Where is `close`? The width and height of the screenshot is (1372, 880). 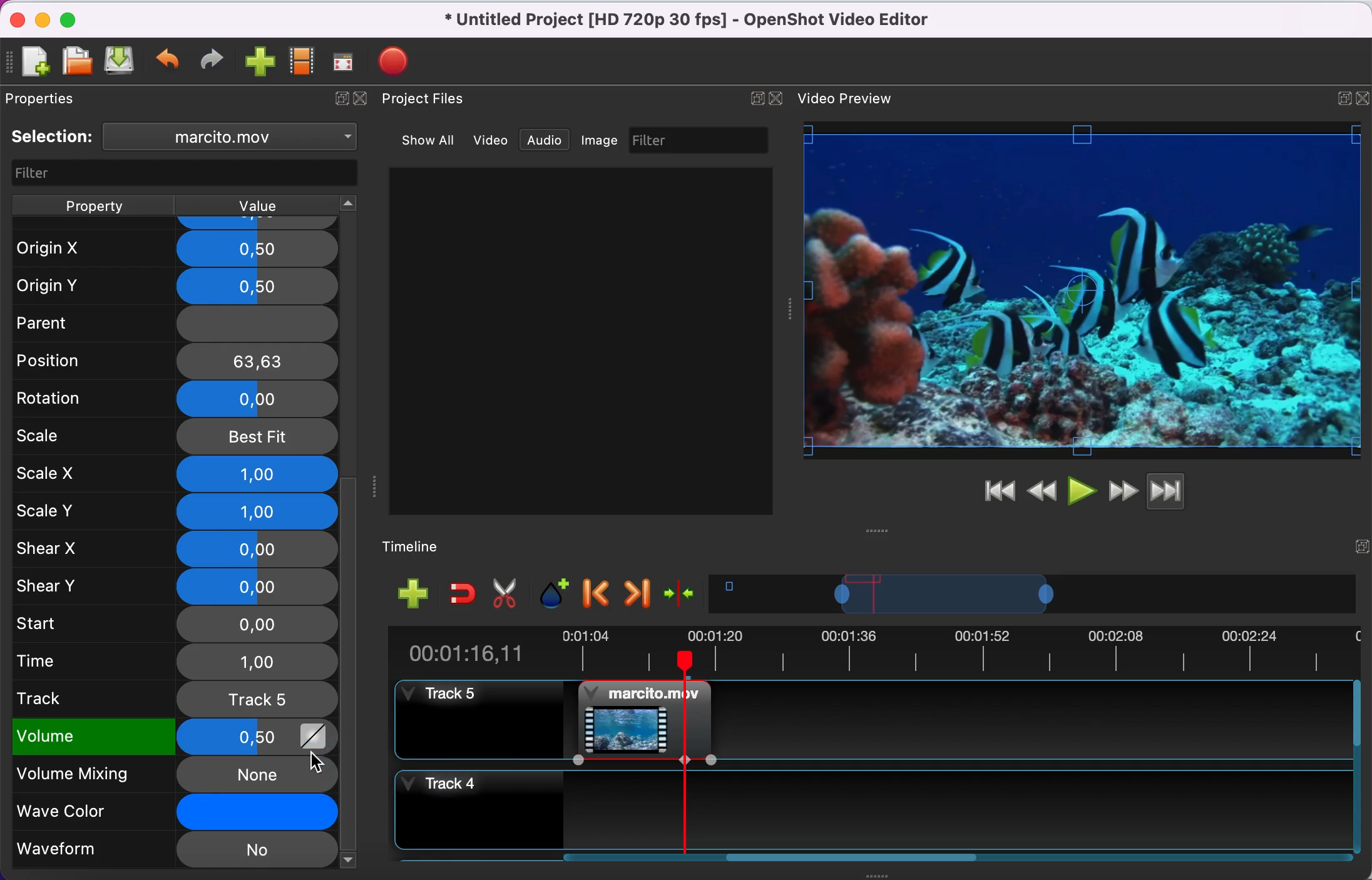 close is located at coordinates (366, 103).